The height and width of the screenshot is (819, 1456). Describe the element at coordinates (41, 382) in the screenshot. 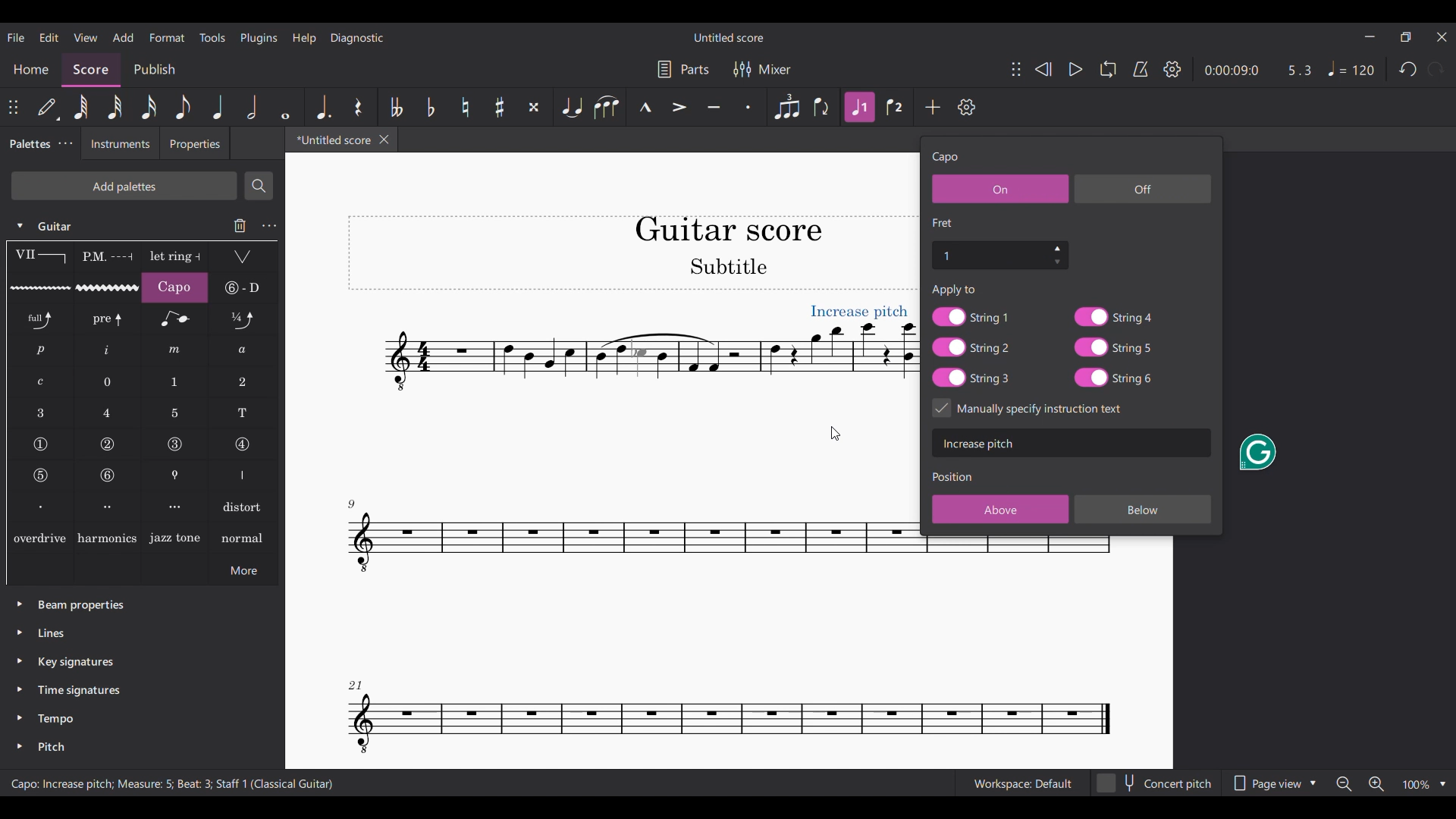

I see `RH guitar fingering c` at that location.